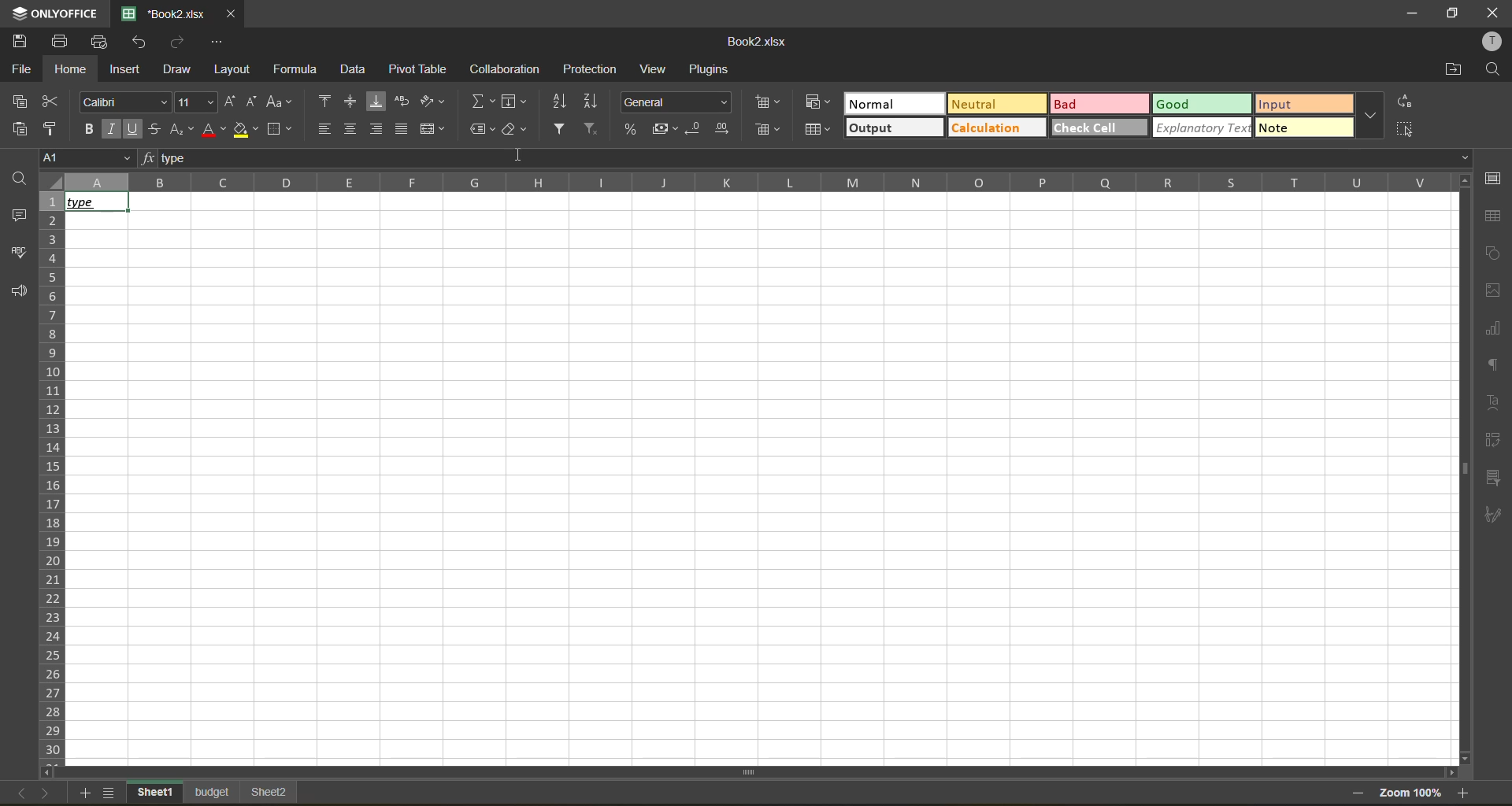 This screenshot has width=1512, height=806. What do you see at coordinates (22, 176) in the screenshot?
I see `find` at bounding box center [22, 176].